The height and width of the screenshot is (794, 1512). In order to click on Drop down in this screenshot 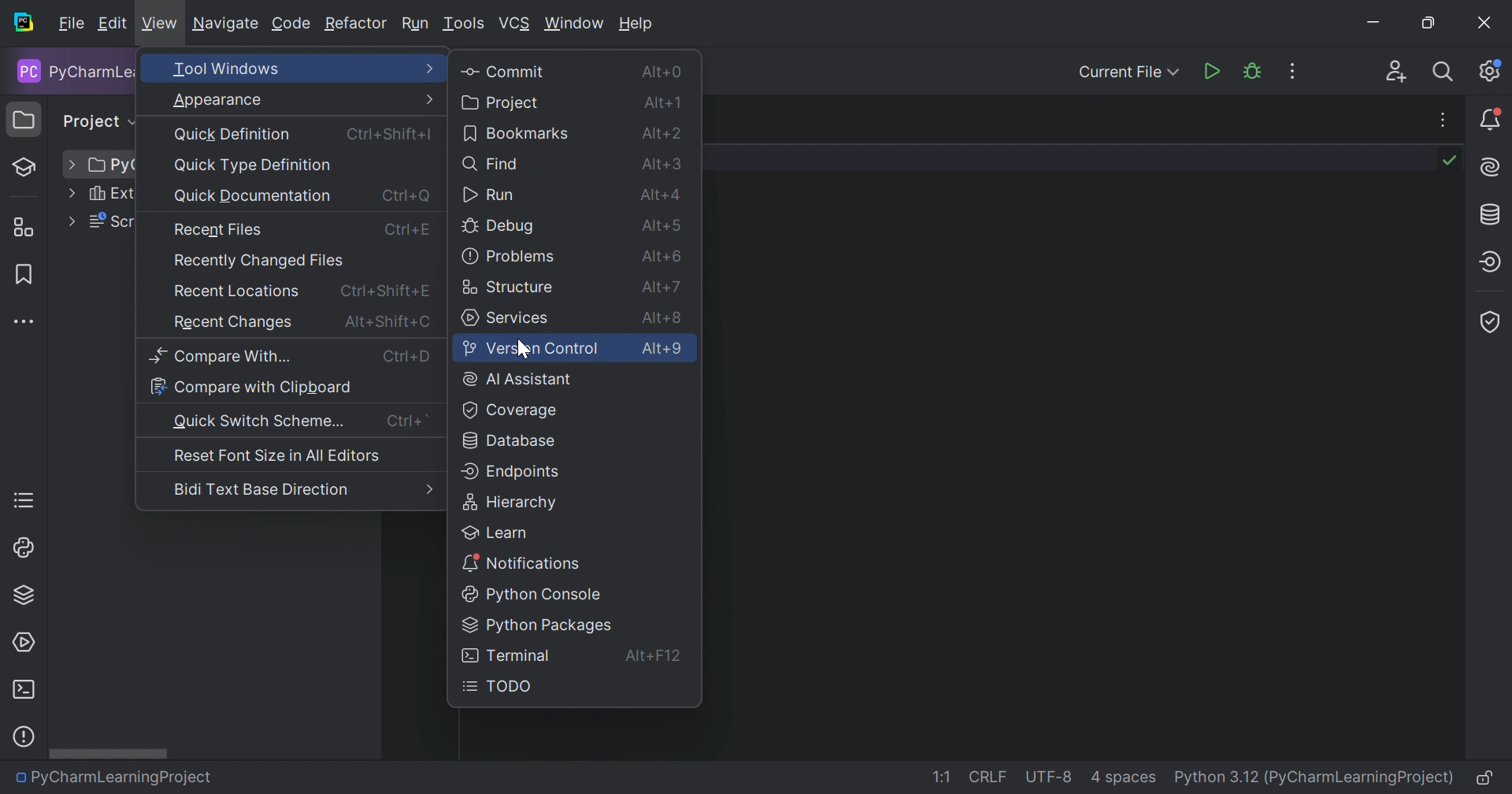, I will do `click(71, 193)`.